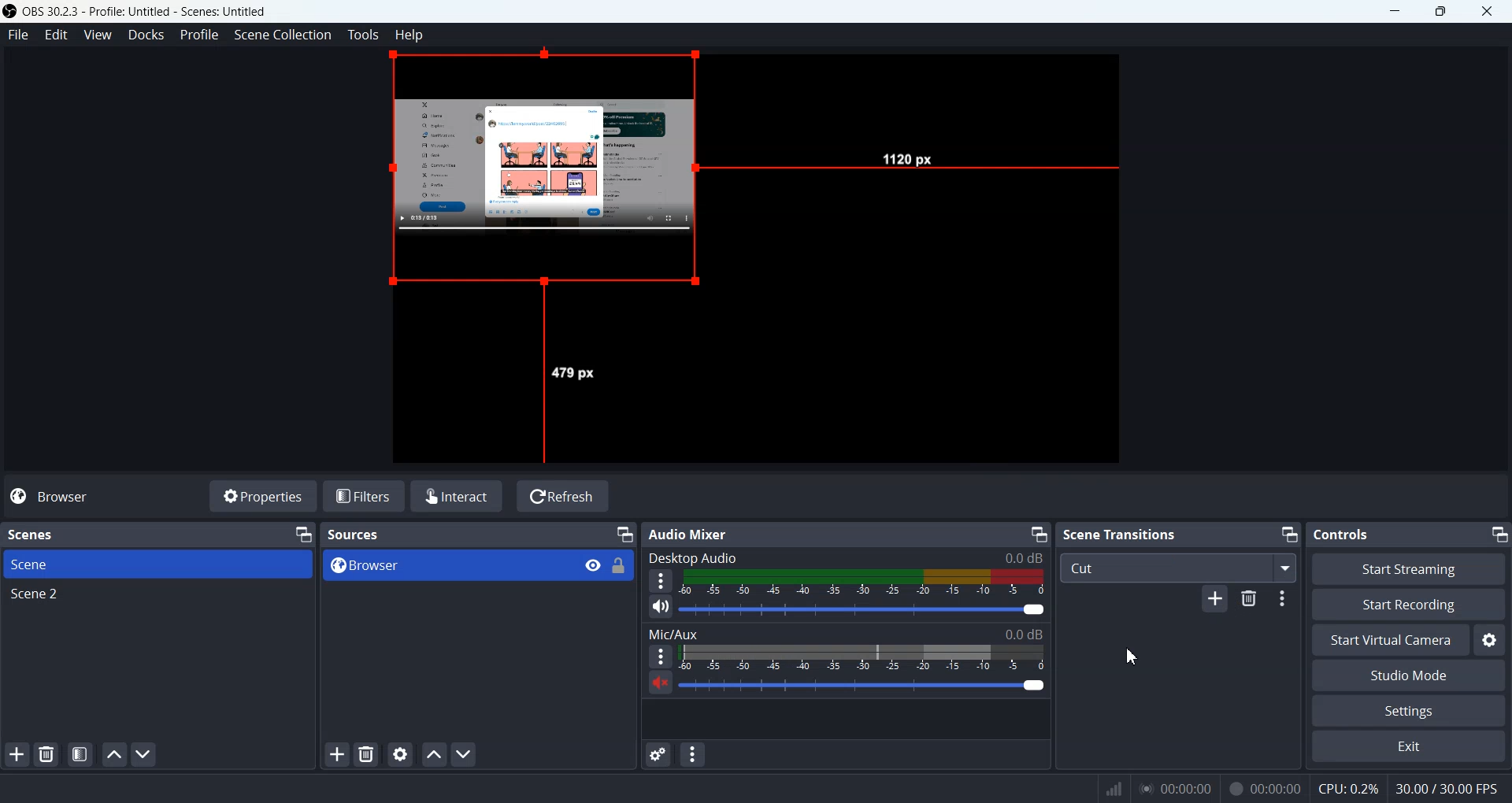  Describe the element at coordinates (563, 496) in the screenshot. I see `Refresh` at that location.